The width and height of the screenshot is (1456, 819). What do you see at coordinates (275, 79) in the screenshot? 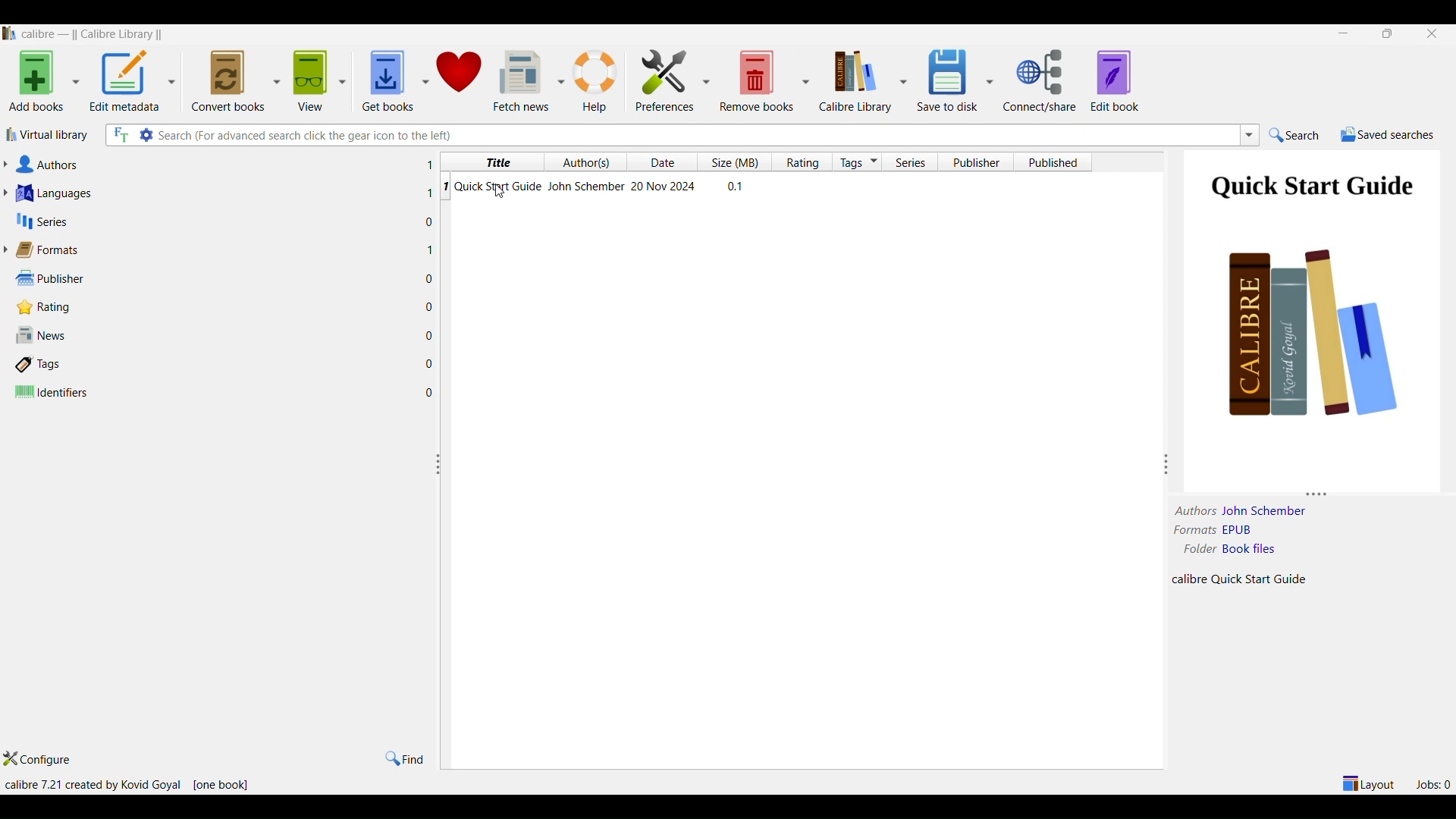
I see `convert books options dropdown button` at bounding box center [275, 79].